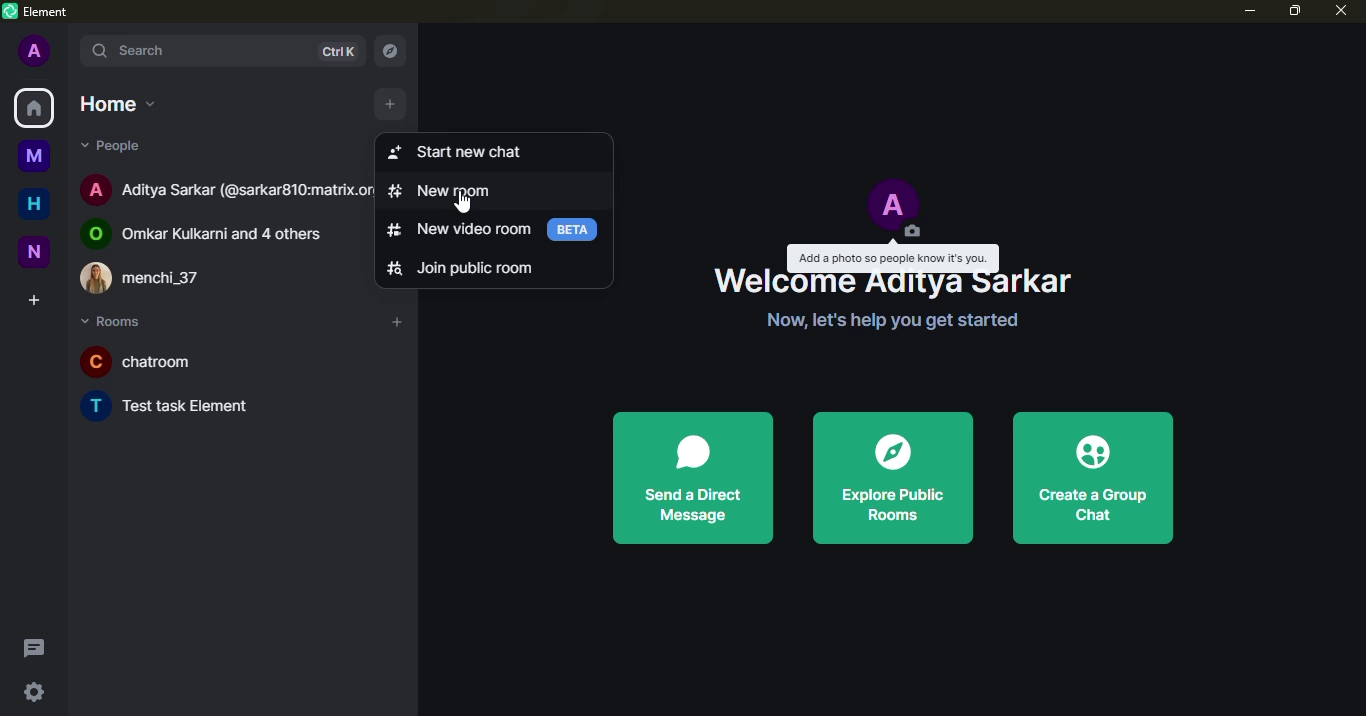 This screenshot has width=1366, height=716. I want to click on Aditya Sarkar (@sarkar810:matrix.org), so click(226, 191).